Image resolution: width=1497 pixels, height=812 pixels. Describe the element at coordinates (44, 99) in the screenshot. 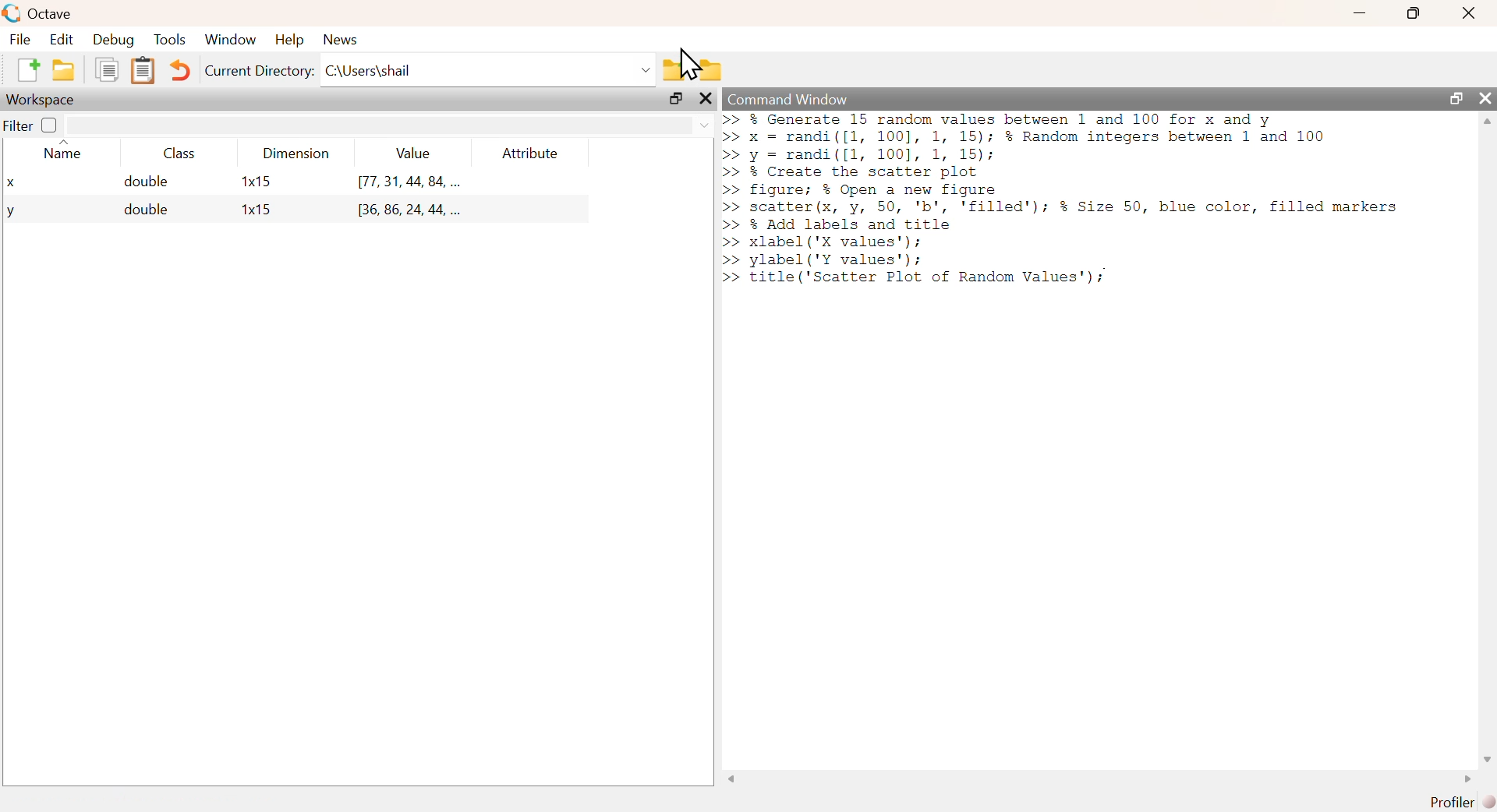

I see `Workspace` at that location.